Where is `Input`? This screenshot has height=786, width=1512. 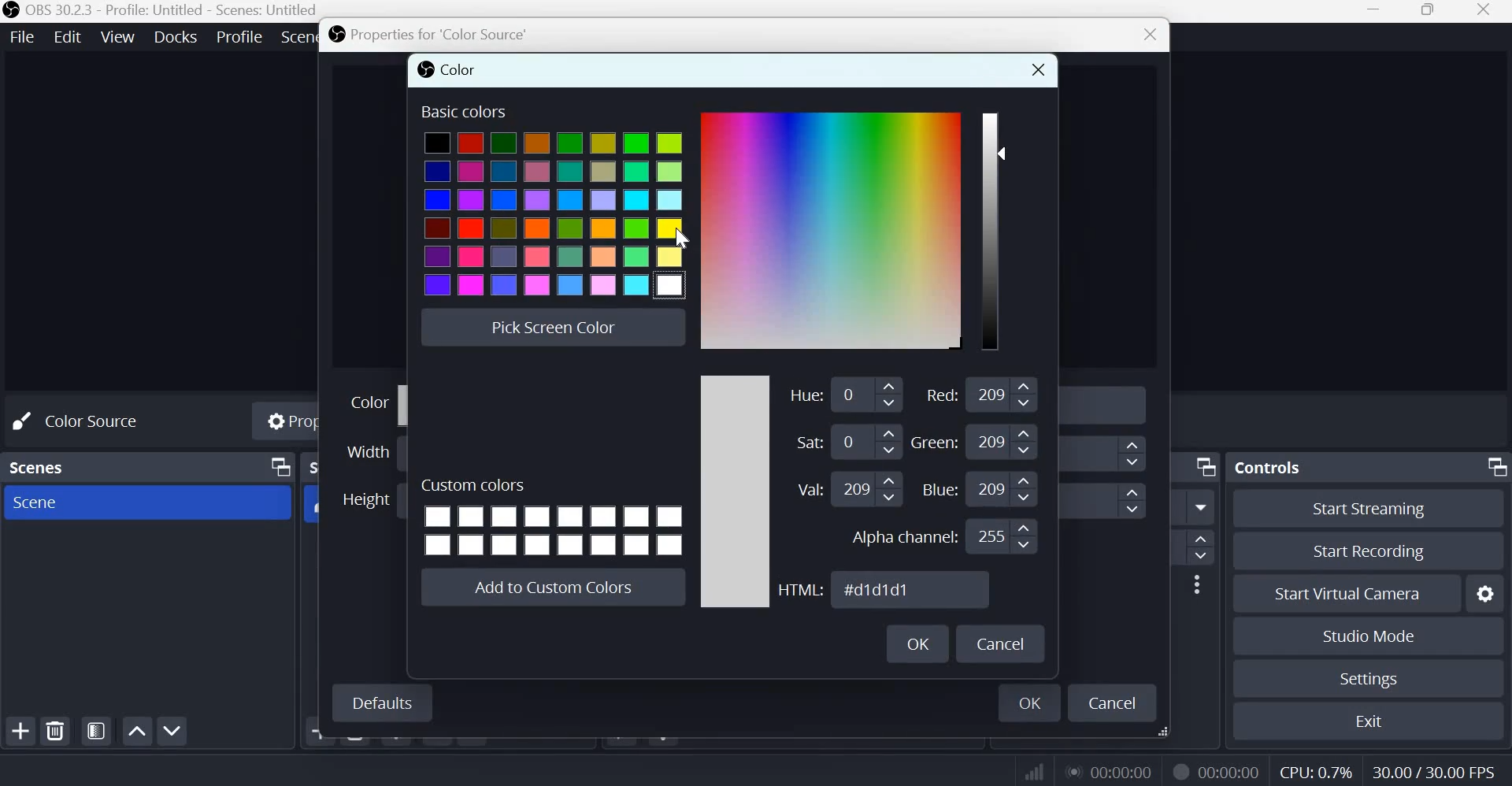 Input is located at coordinates (867, 441).